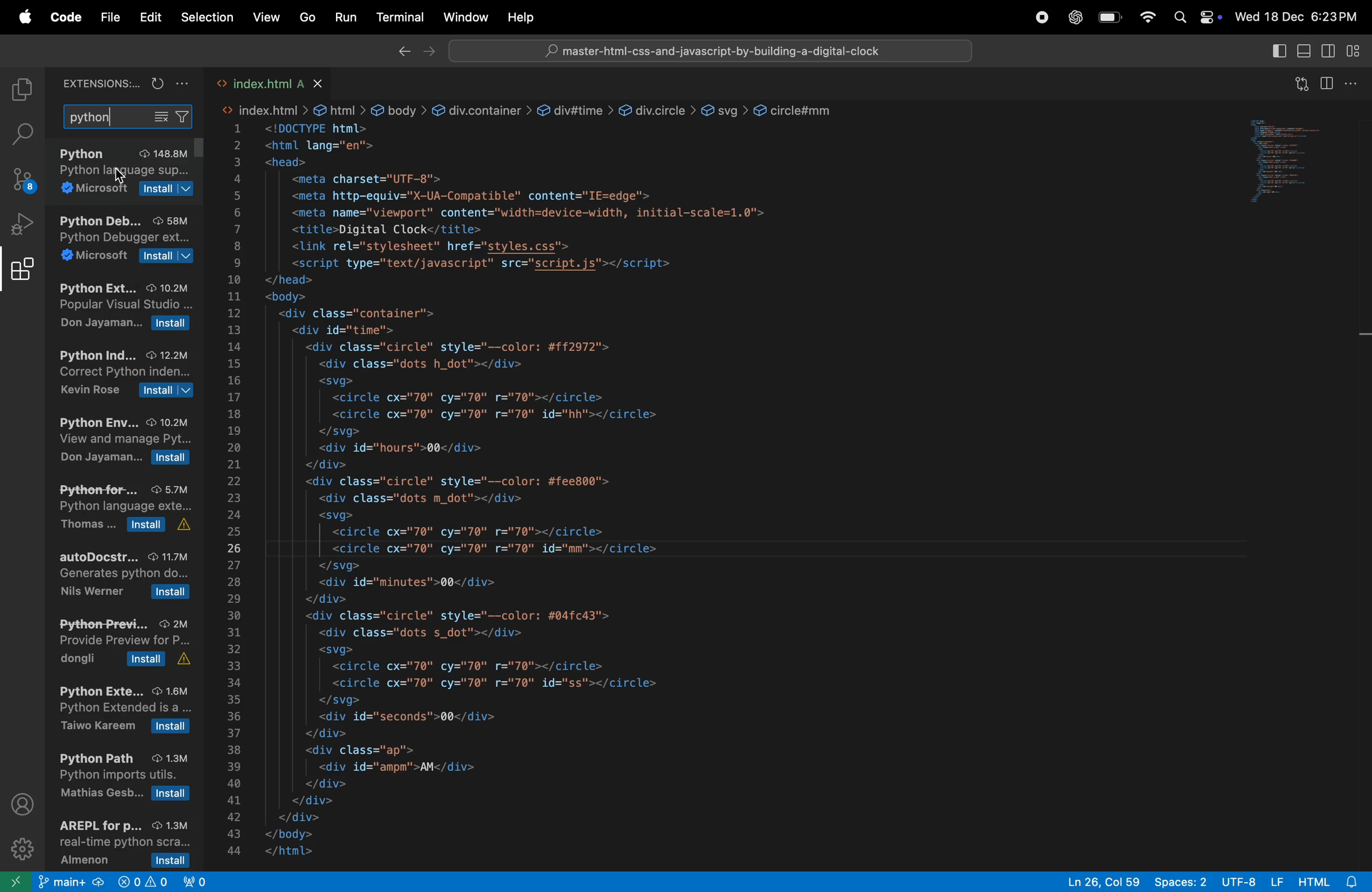 Image resolution: width=1372 pixels, height=892 pixels. I want to click on This code block describing about front page of a website, so click(647, 468).